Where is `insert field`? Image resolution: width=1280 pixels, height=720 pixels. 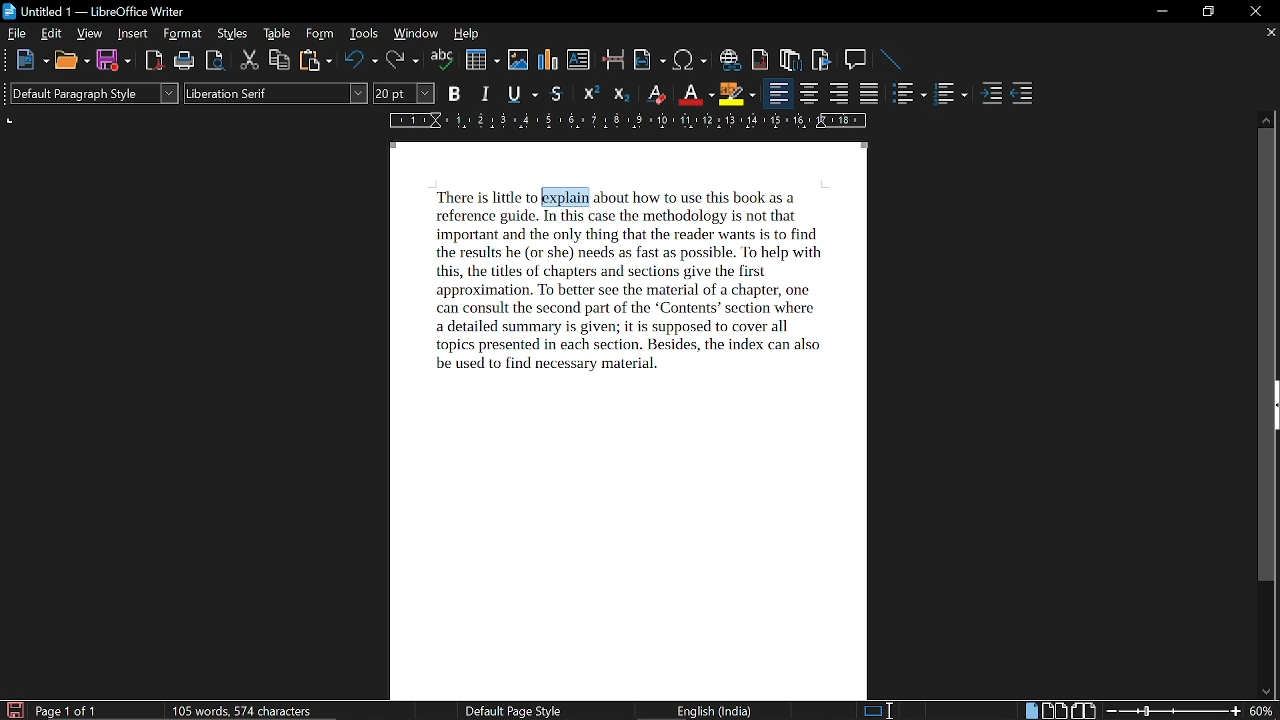
insert field is located at coordinates (650, 61).